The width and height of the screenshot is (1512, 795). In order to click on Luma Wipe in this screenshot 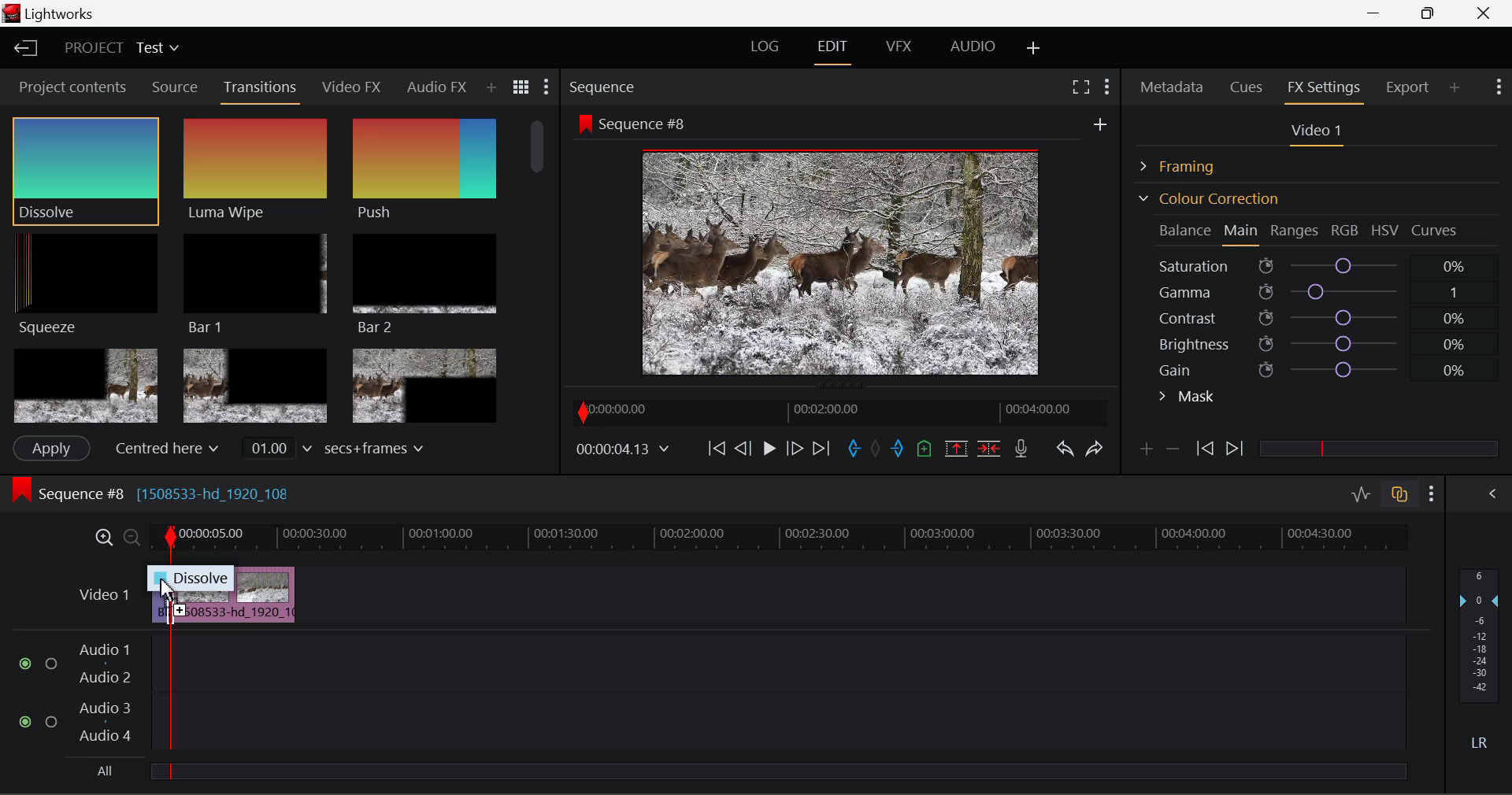, I will do `click(251, 170)`.